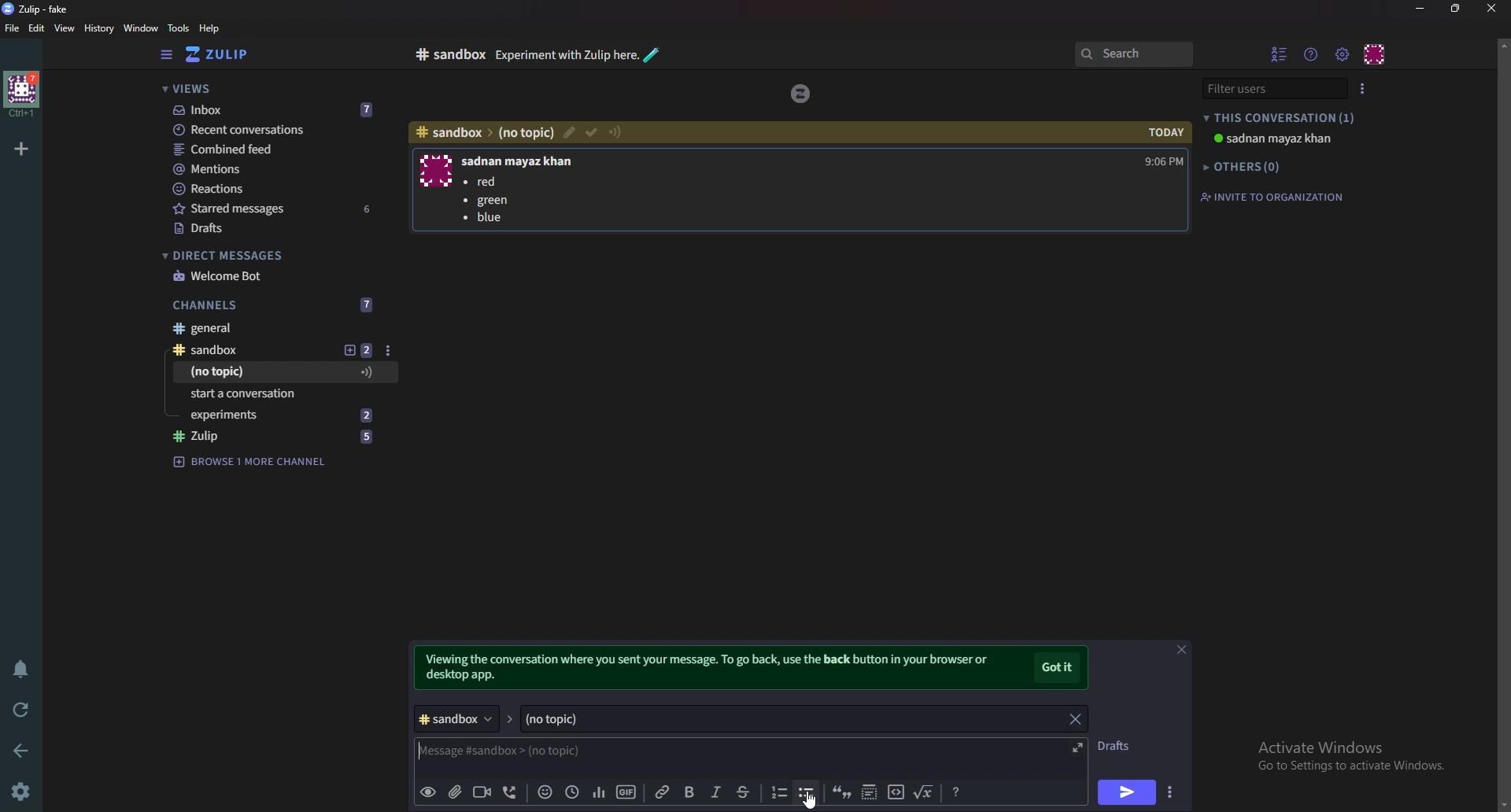 The width and height of the screenshot is (1511, 812). What do you see at coordinates (1502, 425) in the screenshot?
I see `scroll bar` at bounding box center [1502, 425].